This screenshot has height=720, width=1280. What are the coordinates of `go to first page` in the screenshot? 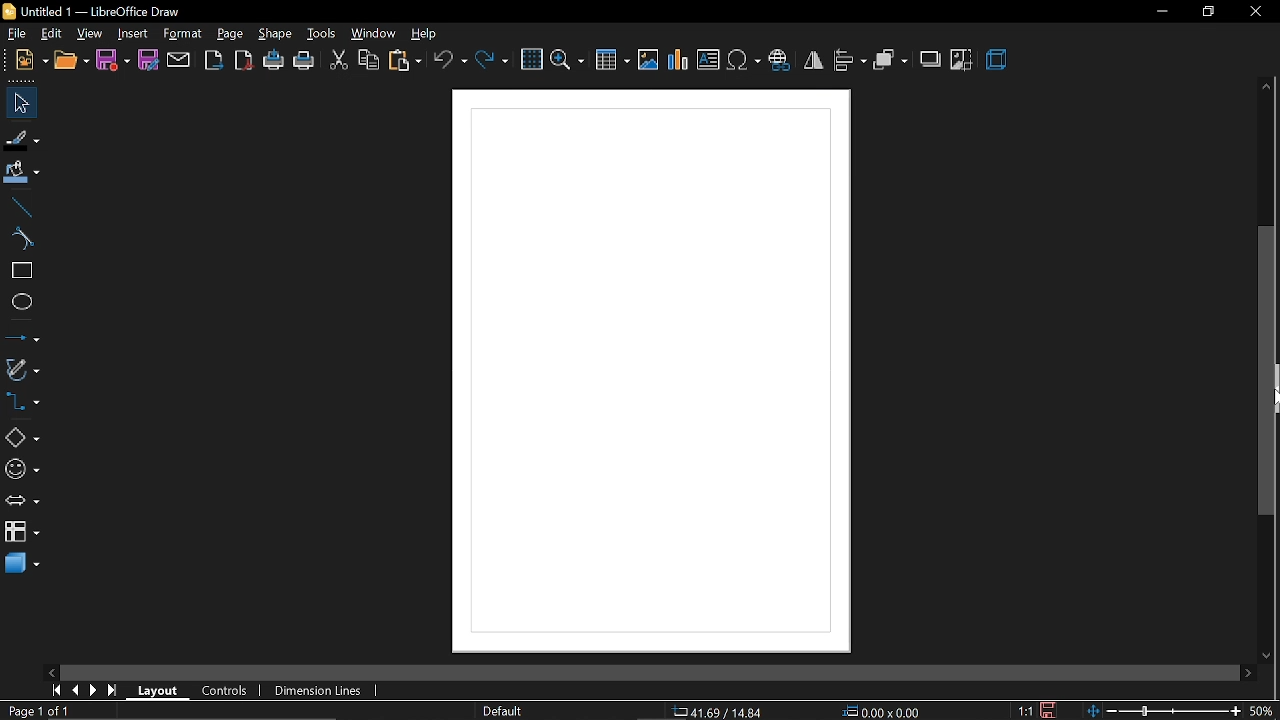 It's located at (53, 692).